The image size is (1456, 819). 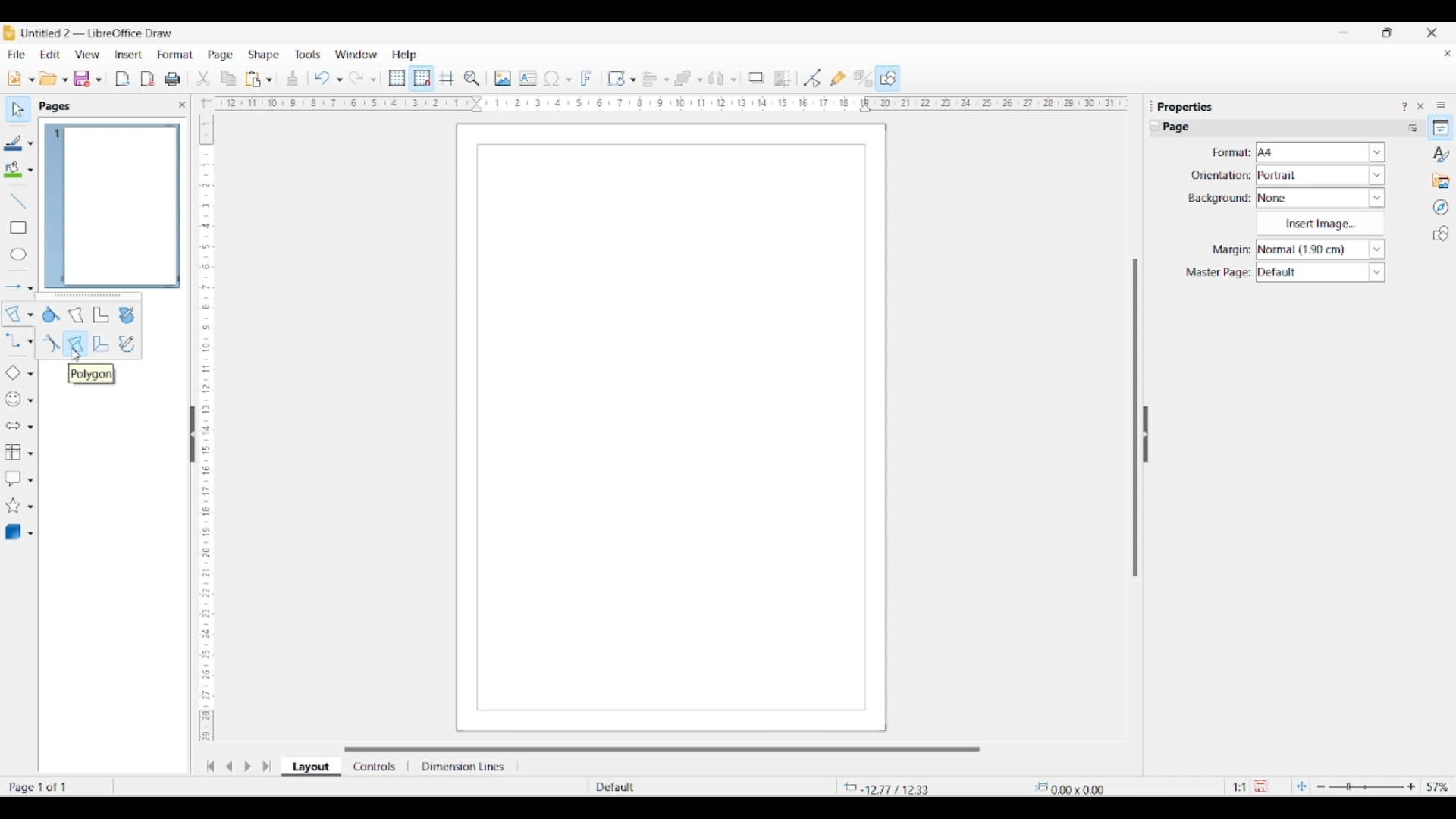 What do you see at coordinates (17, 200) in the screenshot?
I see `Insert line` at bounding box center [17, 200].